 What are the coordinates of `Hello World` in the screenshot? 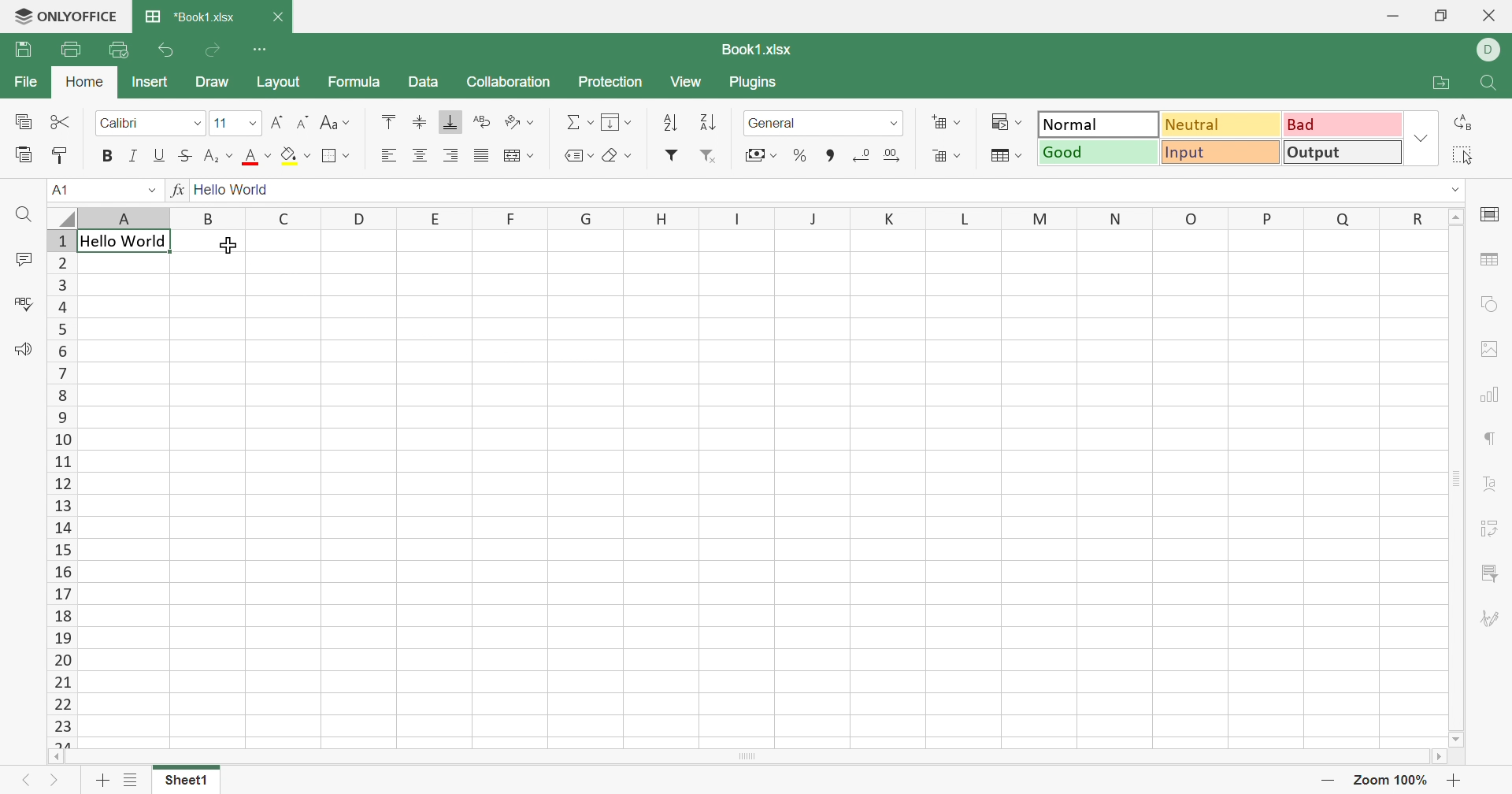 It's located at (232, 189).